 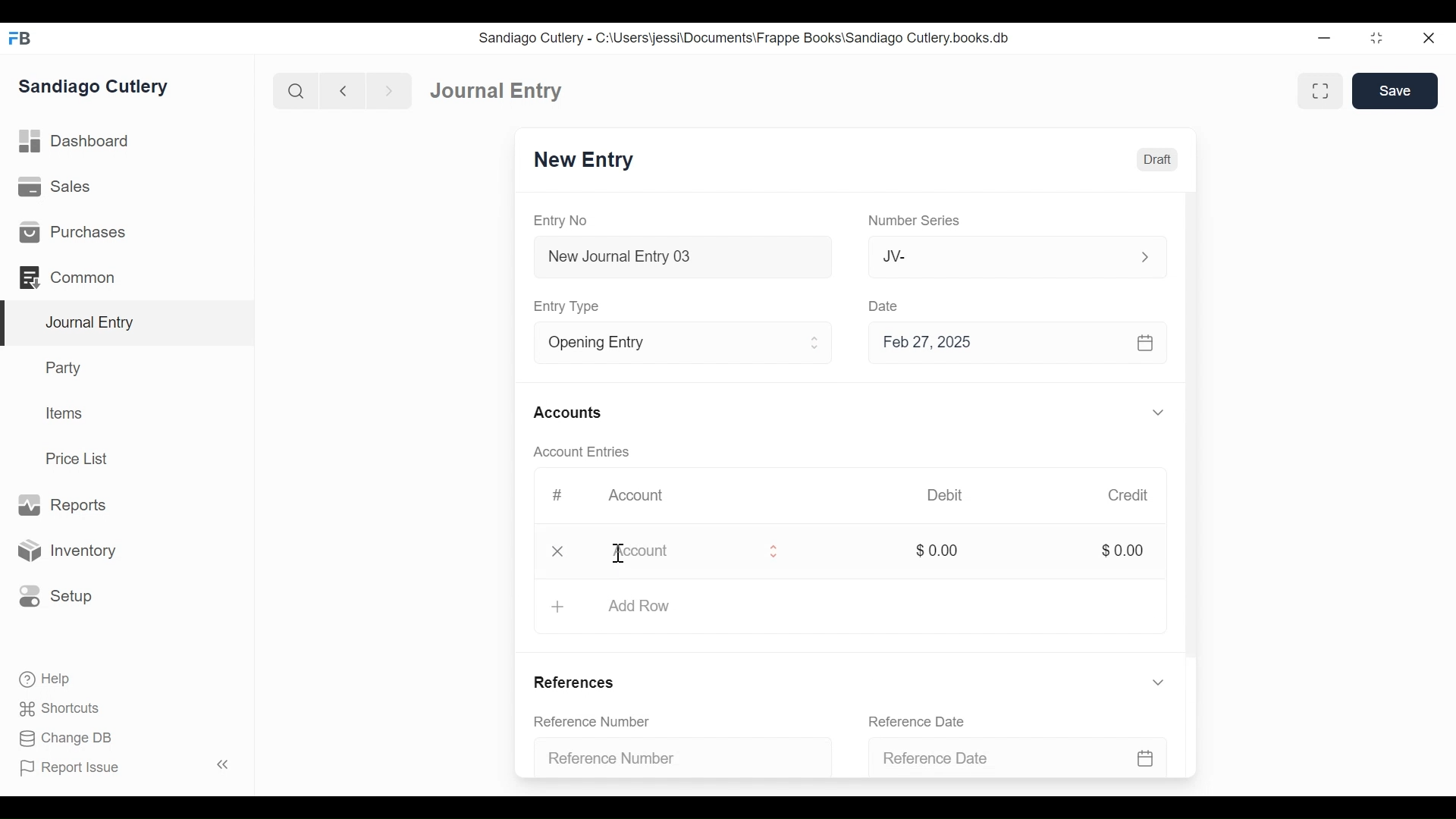 I want to click on Inventory, so click(x=65, y=550).